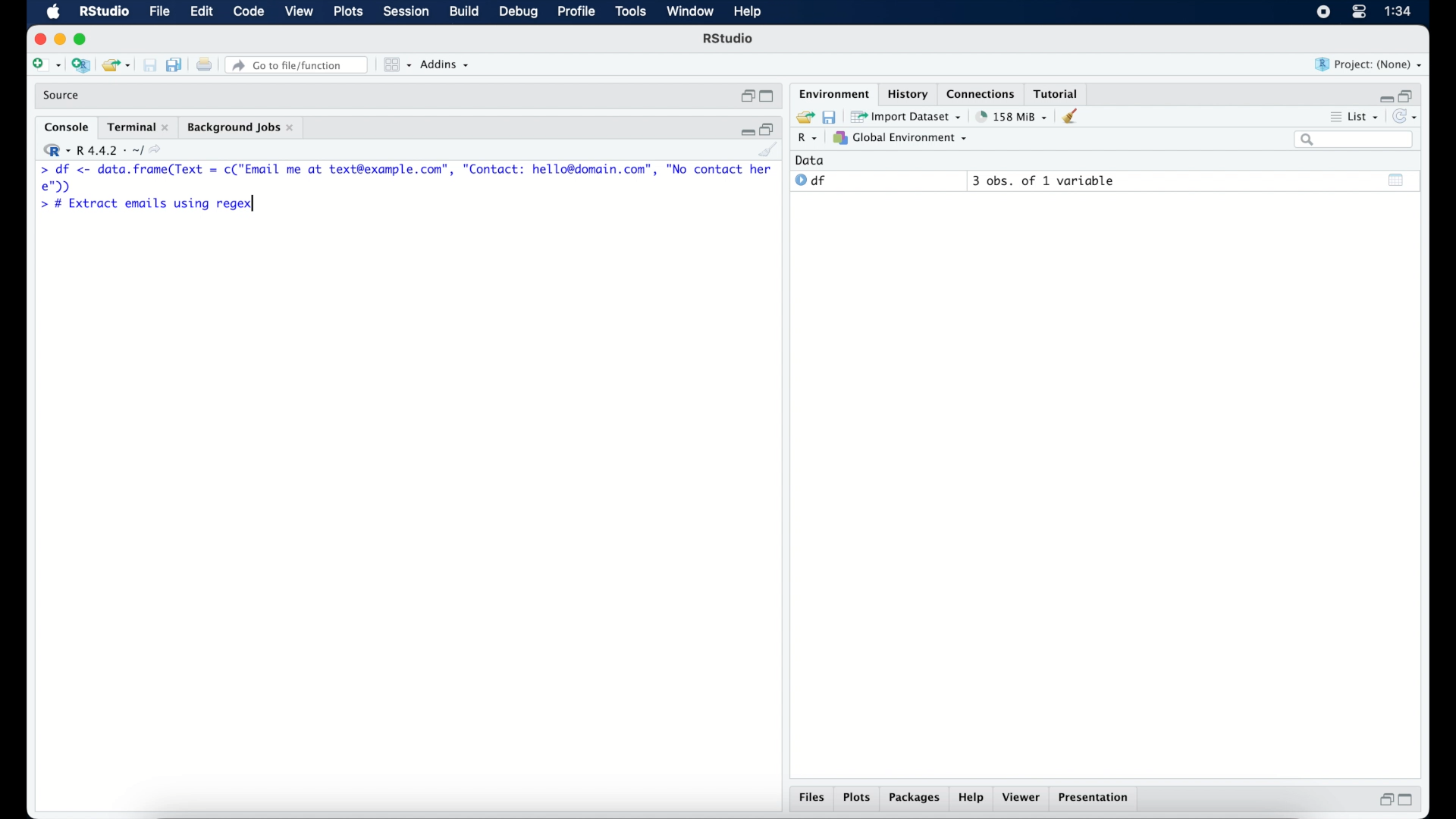  What do you see at coordinates (203, 64) in the screenshot?
I see `print` at bounding box center [203, 64].